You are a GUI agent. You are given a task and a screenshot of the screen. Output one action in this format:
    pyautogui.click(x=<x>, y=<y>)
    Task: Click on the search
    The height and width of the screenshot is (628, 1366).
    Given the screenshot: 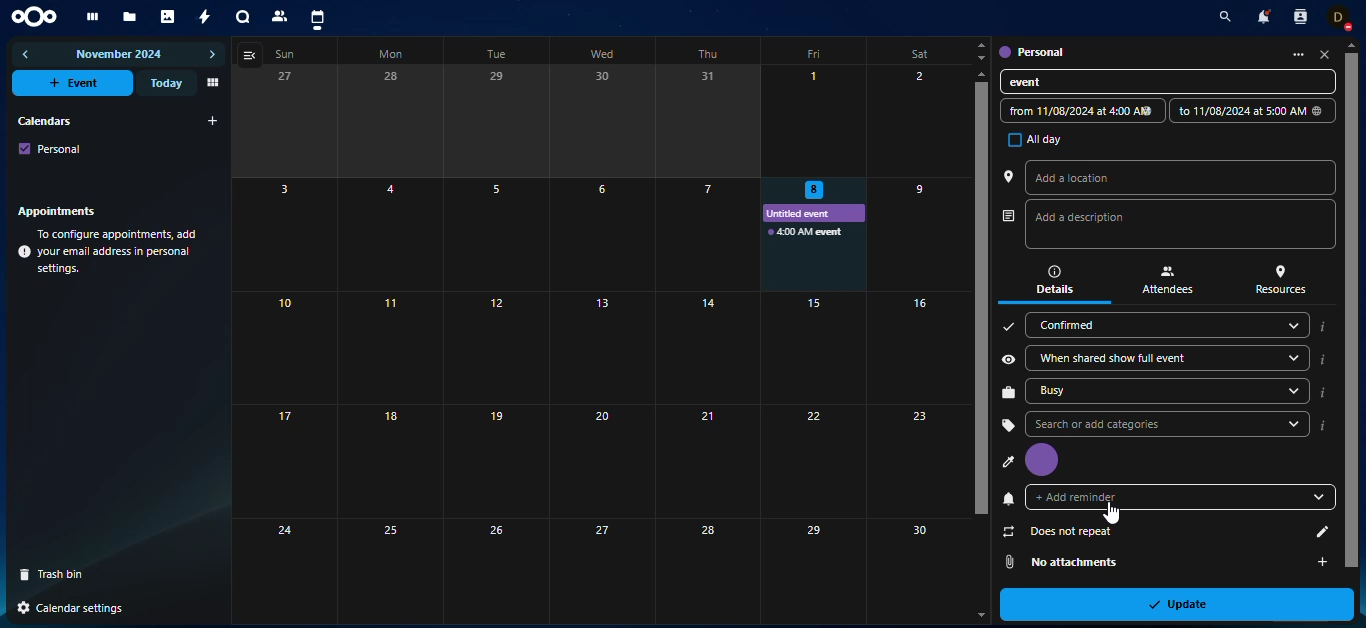 What is the action you would take?
    pyautogui.click(x=1145, y=425)
    